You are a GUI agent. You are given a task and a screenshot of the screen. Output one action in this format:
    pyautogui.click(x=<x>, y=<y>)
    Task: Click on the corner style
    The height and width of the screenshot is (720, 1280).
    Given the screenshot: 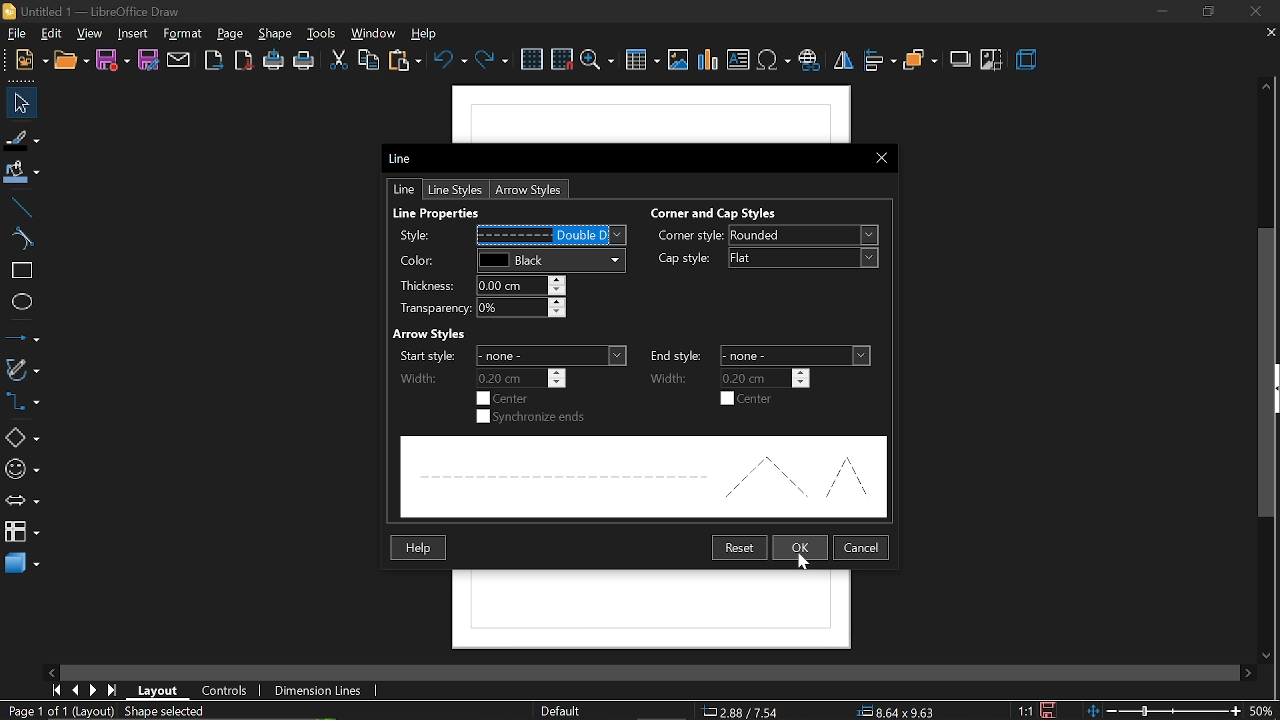 What is the action you would take?
    pyautogui.click(x=763, y=236)
    